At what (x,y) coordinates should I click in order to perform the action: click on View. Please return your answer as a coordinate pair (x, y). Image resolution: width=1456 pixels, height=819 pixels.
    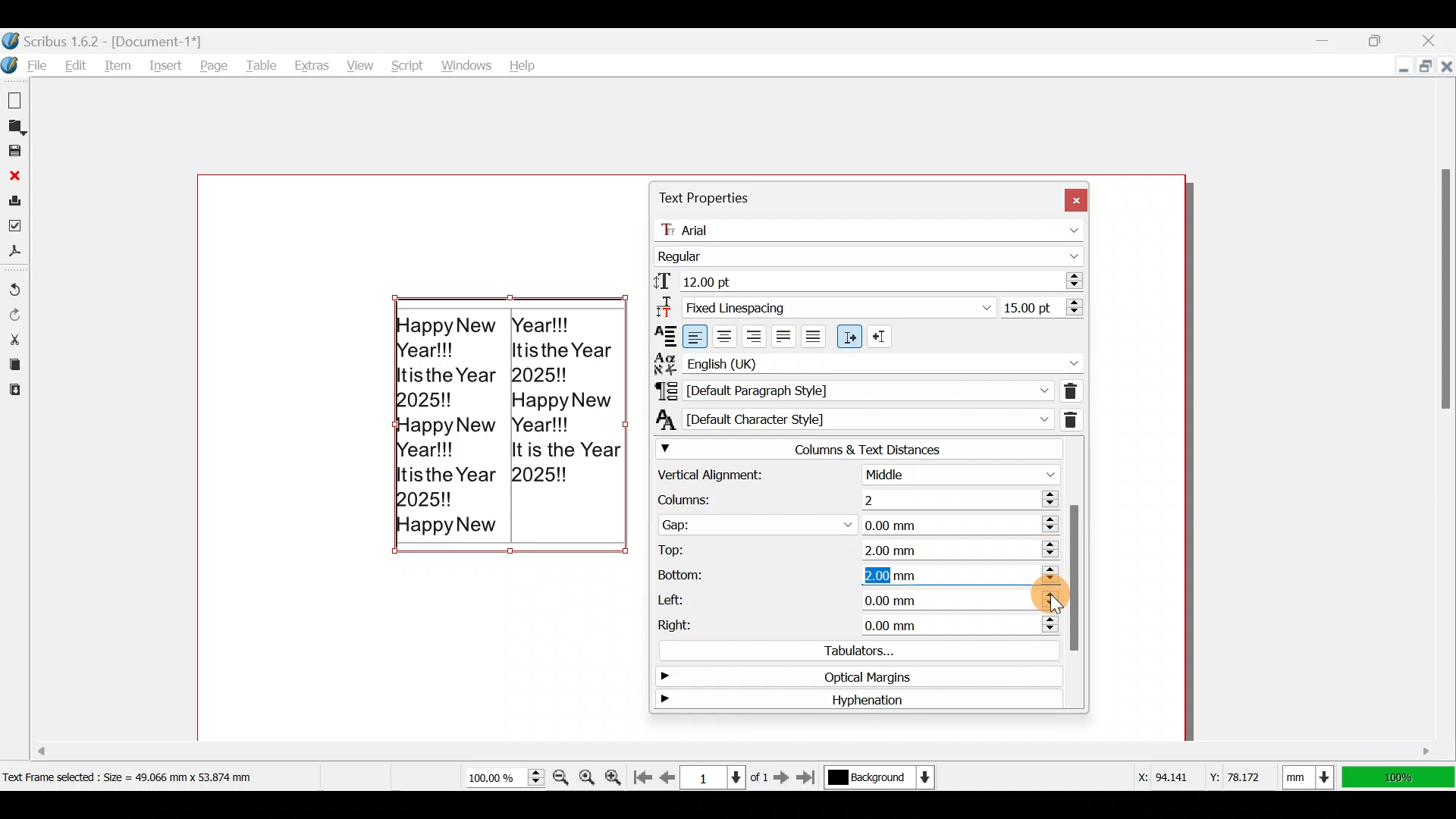
    Looking at the image, I should click on (358, 62).